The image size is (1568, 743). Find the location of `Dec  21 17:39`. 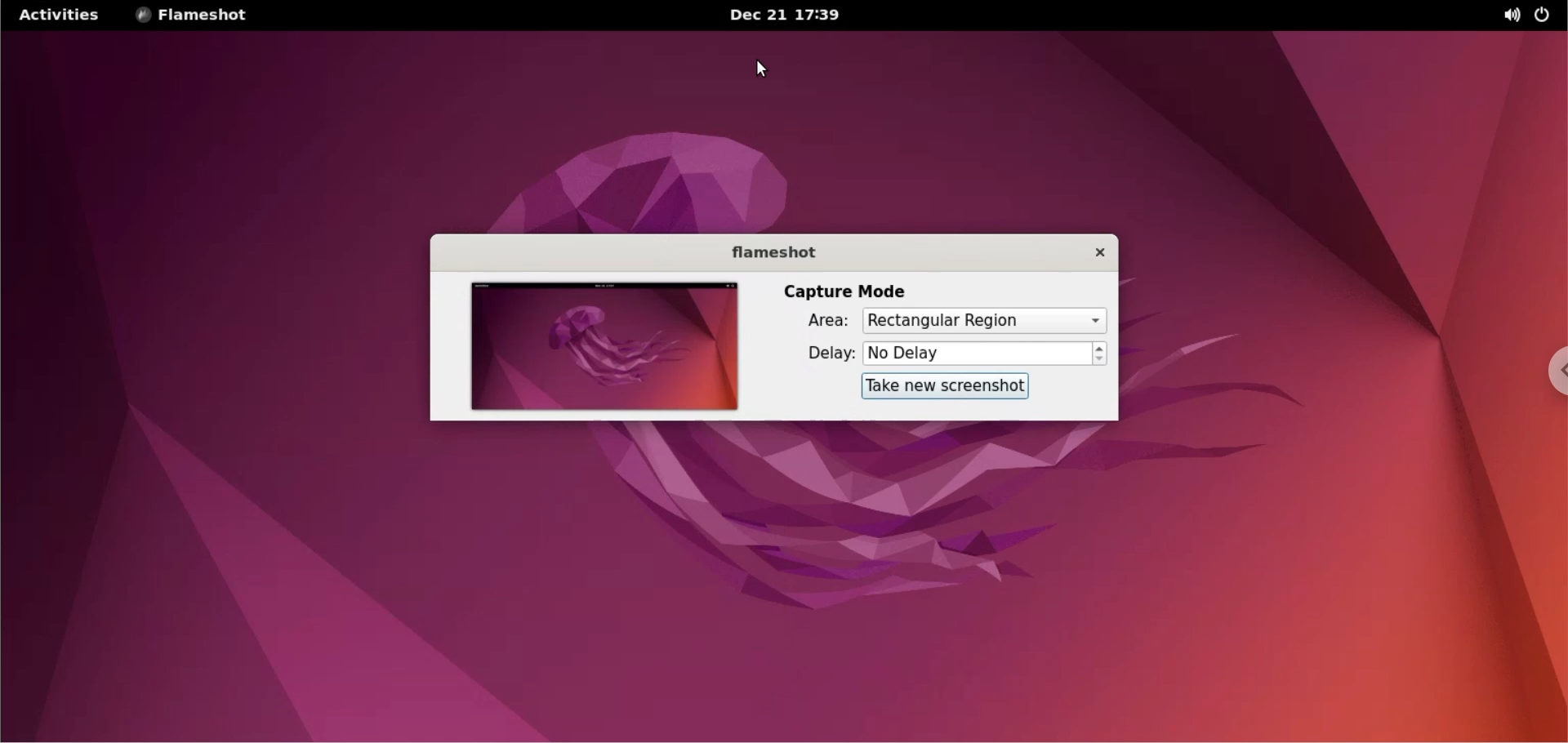

Dec  21 17:39 is located at coordinates (788, 16).